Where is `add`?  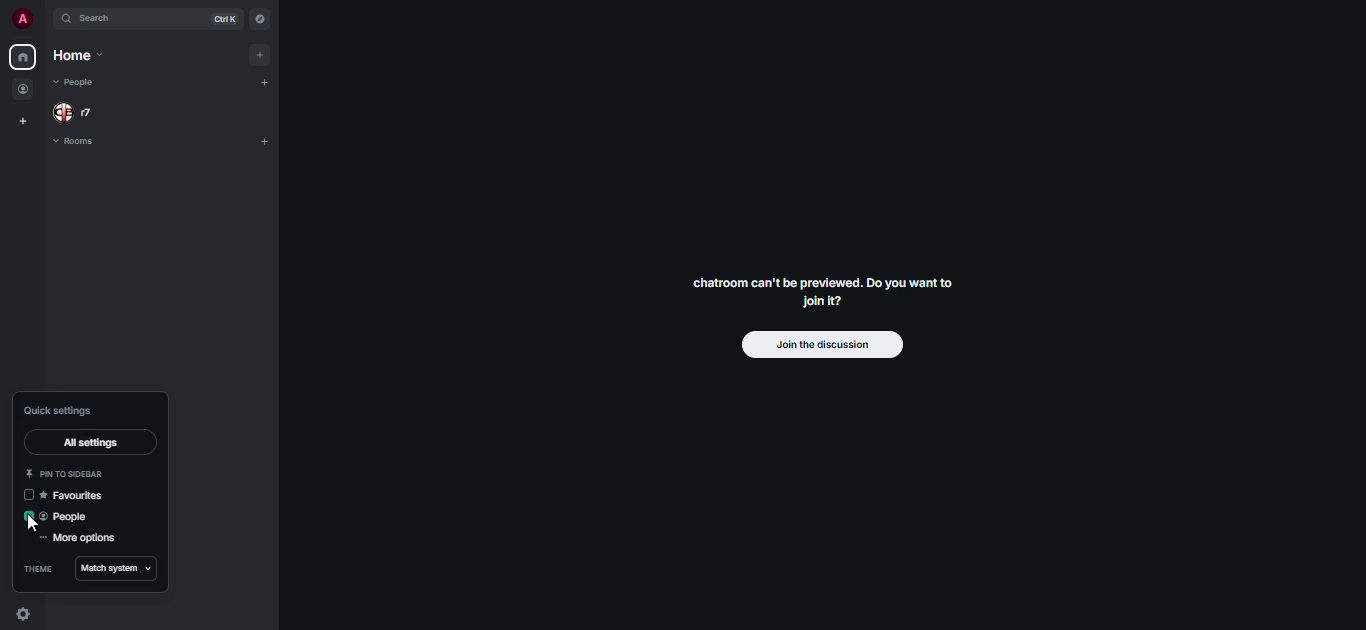
add is located at coordinates (267, 83).